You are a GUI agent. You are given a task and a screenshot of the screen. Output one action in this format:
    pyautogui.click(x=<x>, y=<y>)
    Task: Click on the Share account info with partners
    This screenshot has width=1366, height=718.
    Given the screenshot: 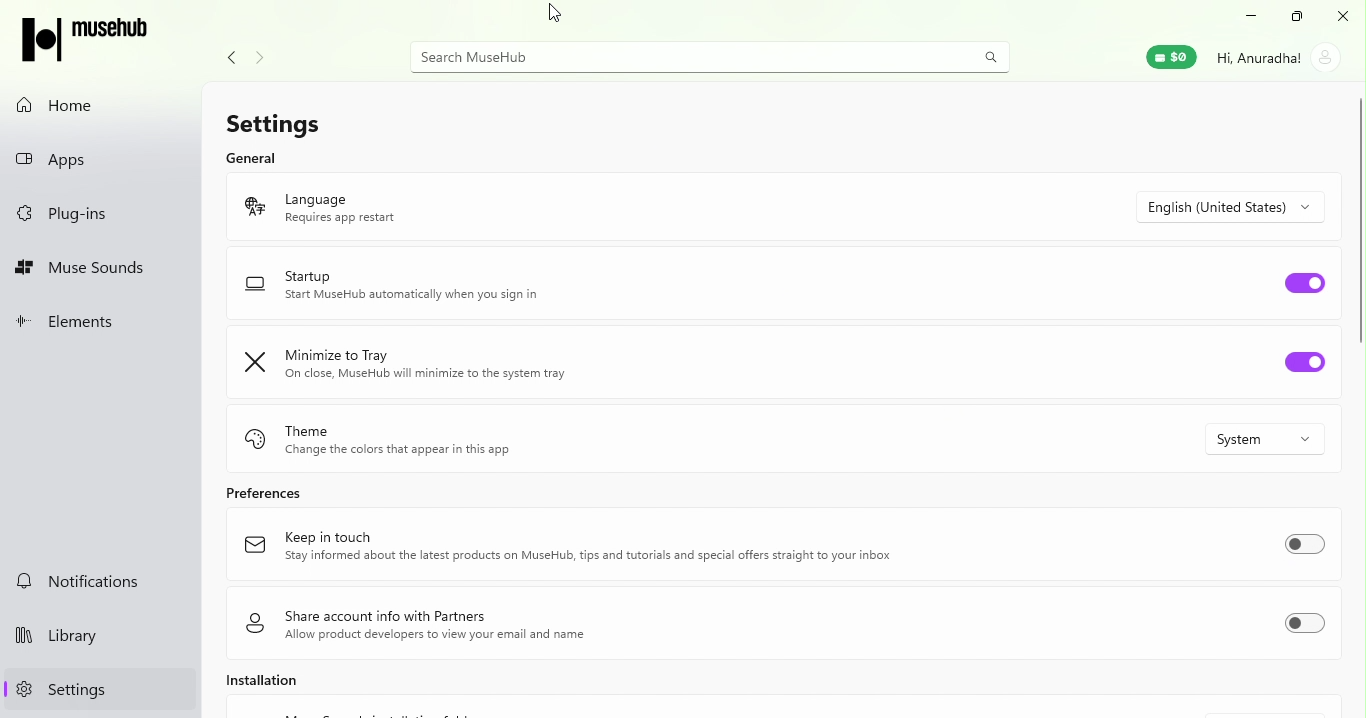 What is the action you would take?
    pyautogui.click(x=514, y=625)
    